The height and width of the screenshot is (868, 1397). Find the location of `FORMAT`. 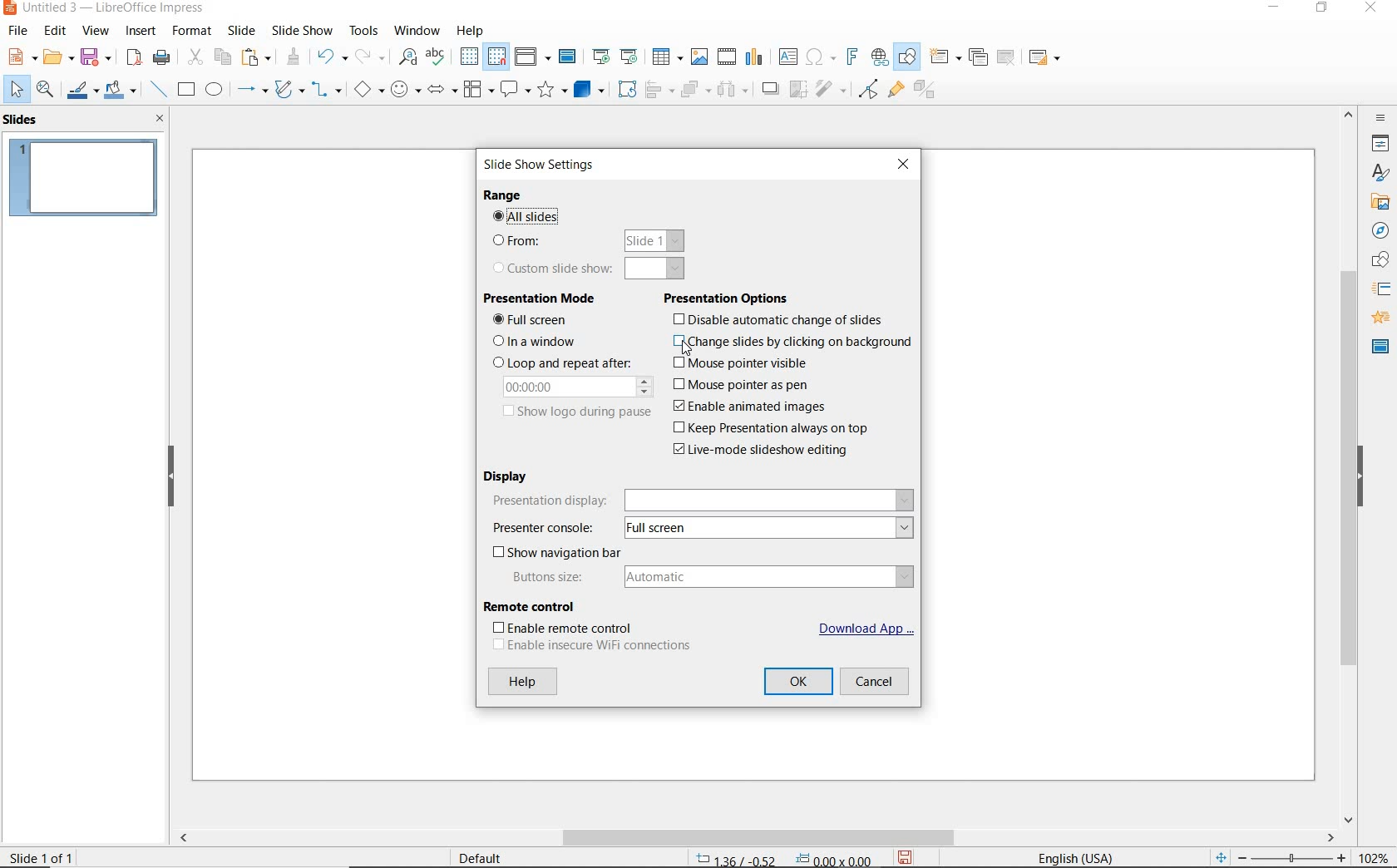

FORMAT is located at coordinates (193, 31).